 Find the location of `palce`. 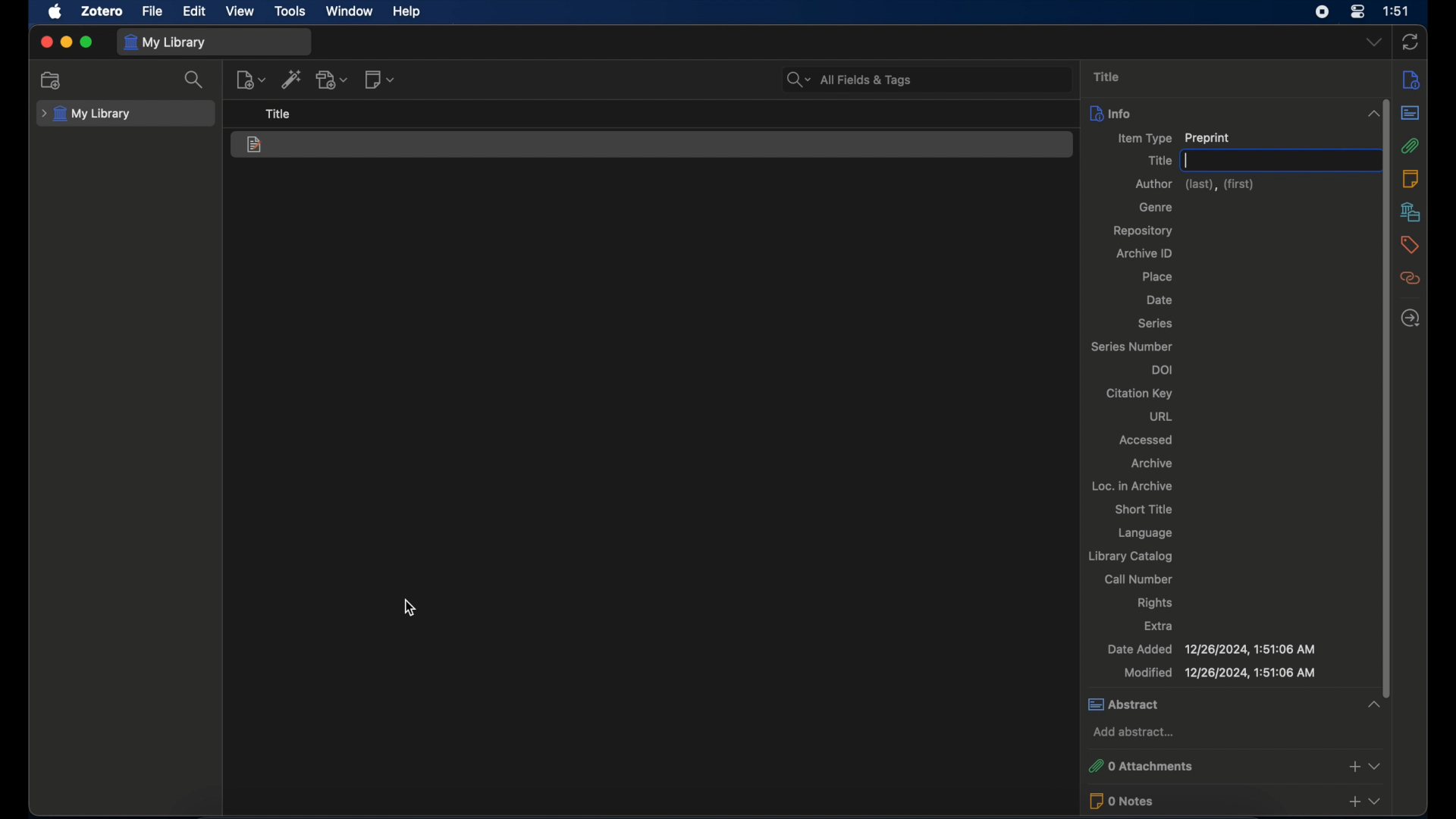

palce is located at coordinates (1159, 278).